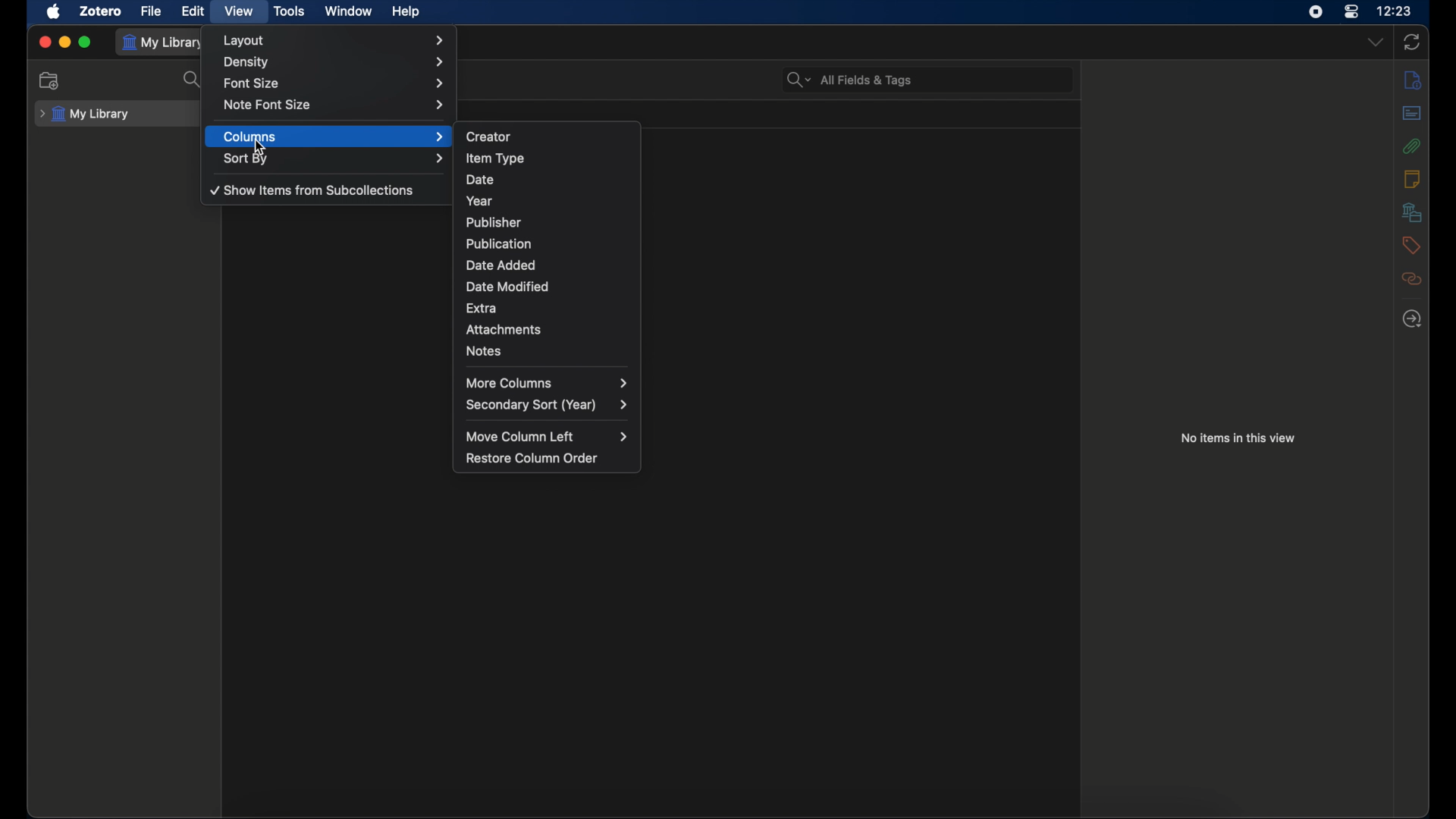 The image size is (1456, 819). I want to click on screen recorder, so click(1316, 12).